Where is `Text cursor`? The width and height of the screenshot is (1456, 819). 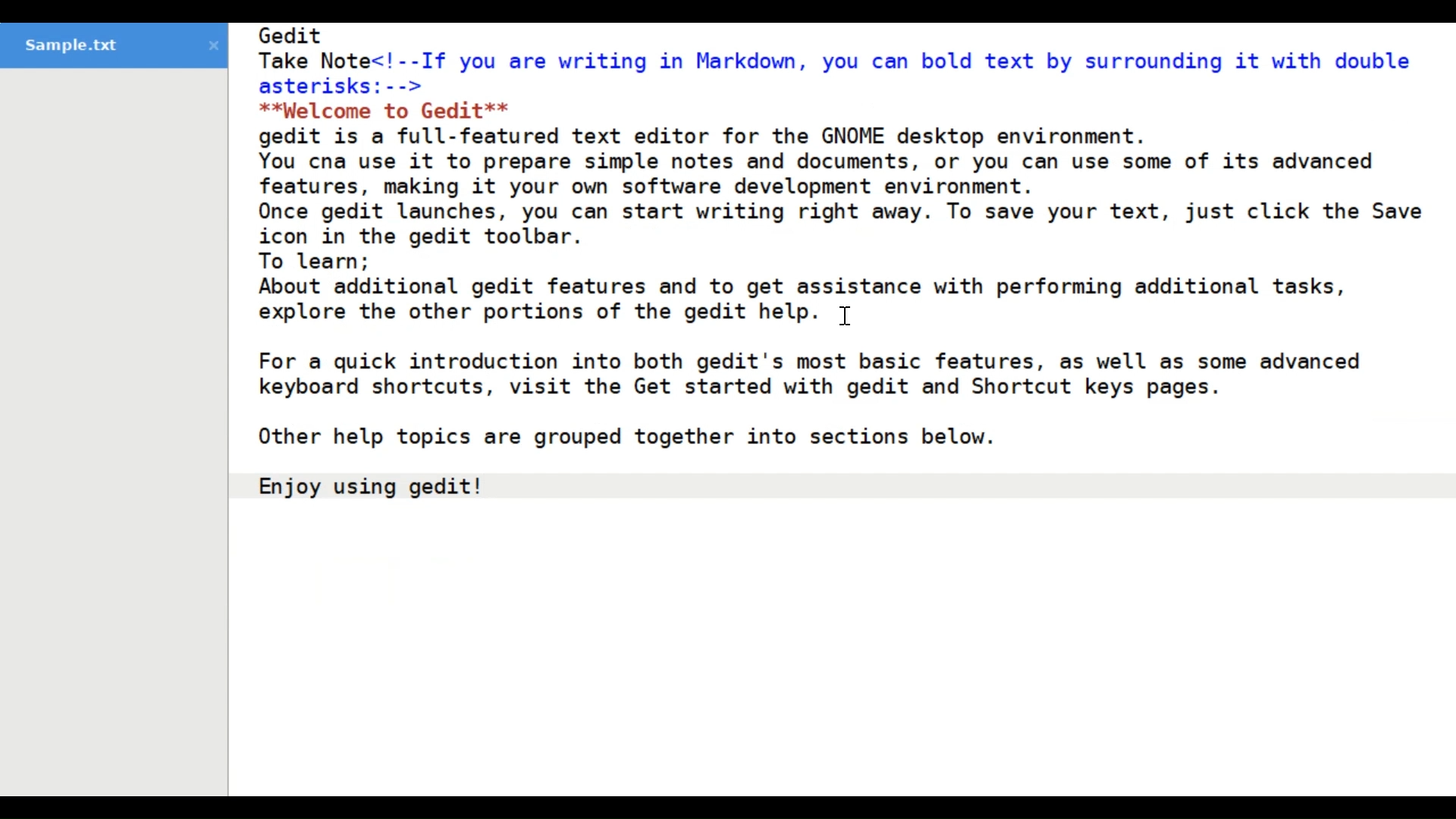
Text cursor is located at coordinates (845, 318).